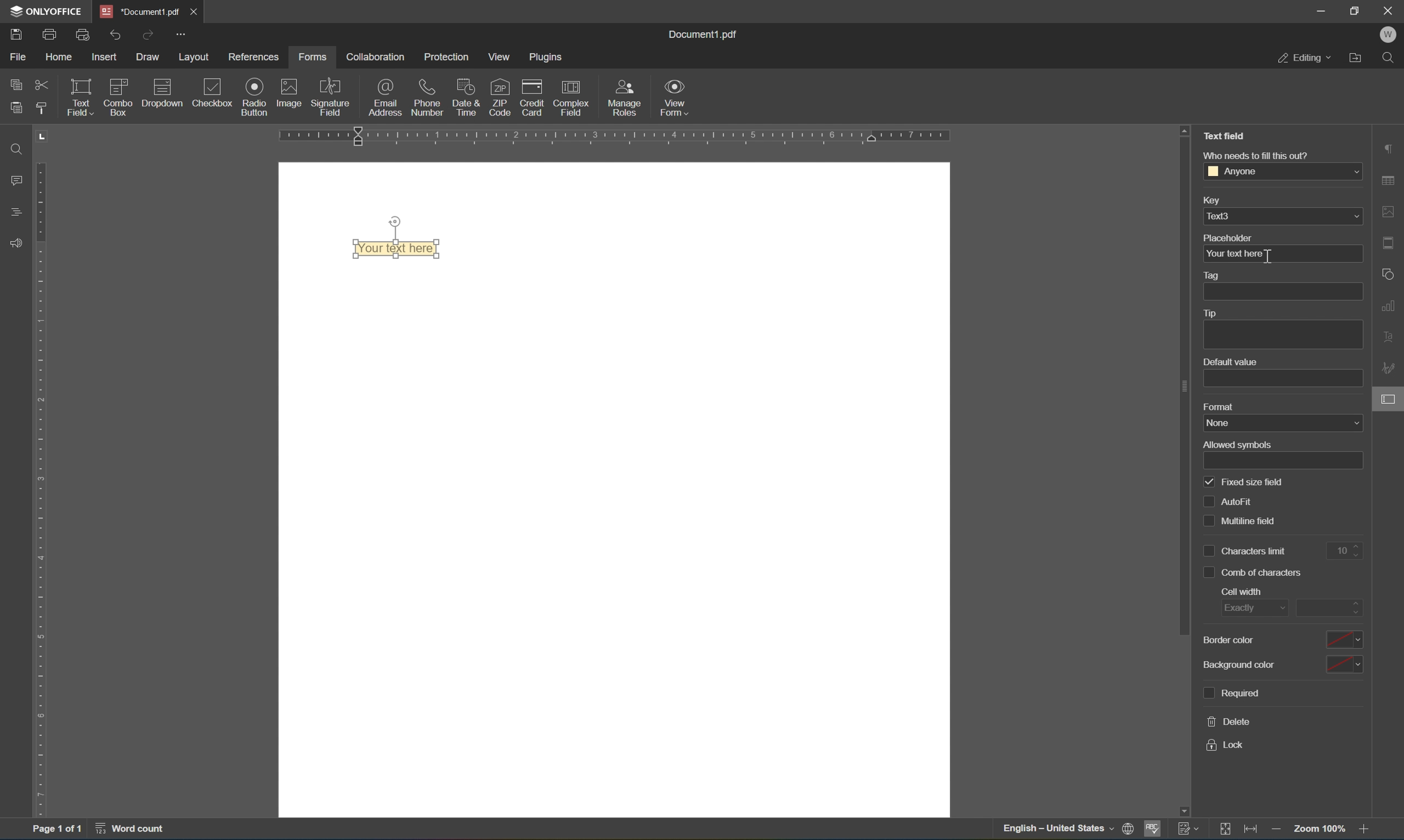  What do you see at coordinates (1388, 273) in the screenshot?
I see `shape settings` at bounding box center [1388, 273].